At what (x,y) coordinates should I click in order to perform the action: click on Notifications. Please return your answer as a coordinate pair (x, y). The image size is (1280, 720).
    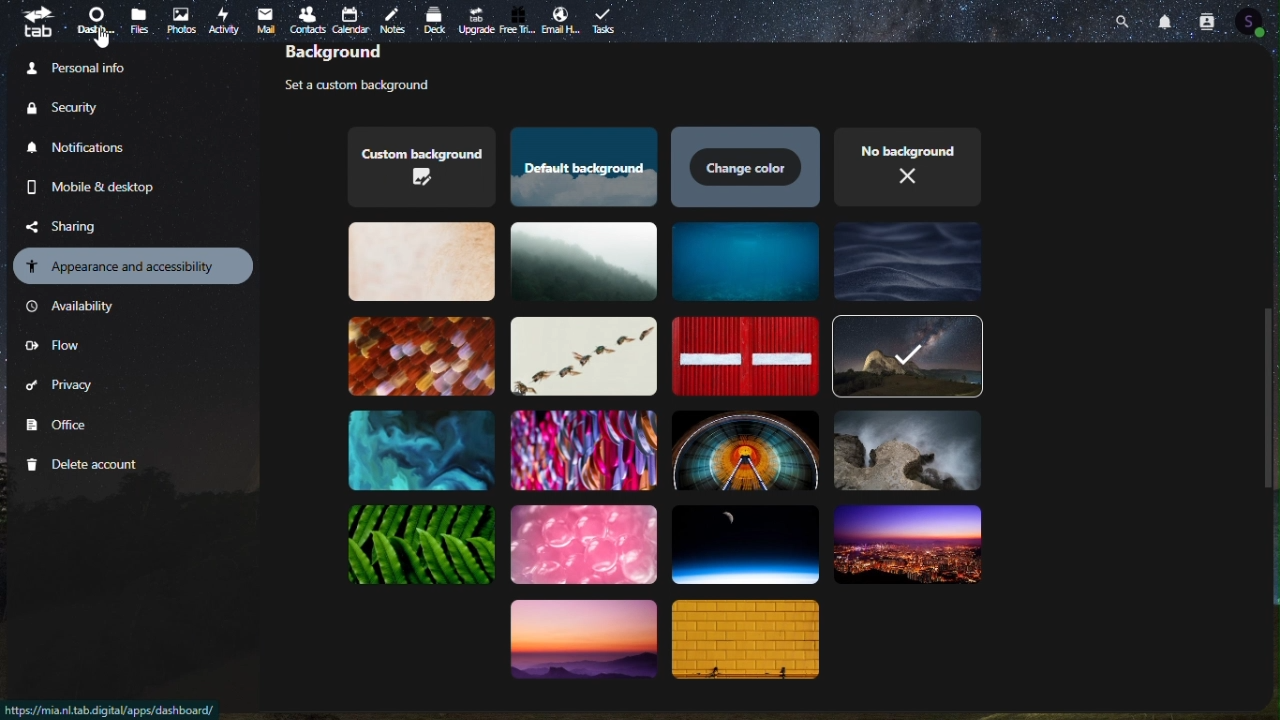
    Looking at the image, I should click on (1168, 20).